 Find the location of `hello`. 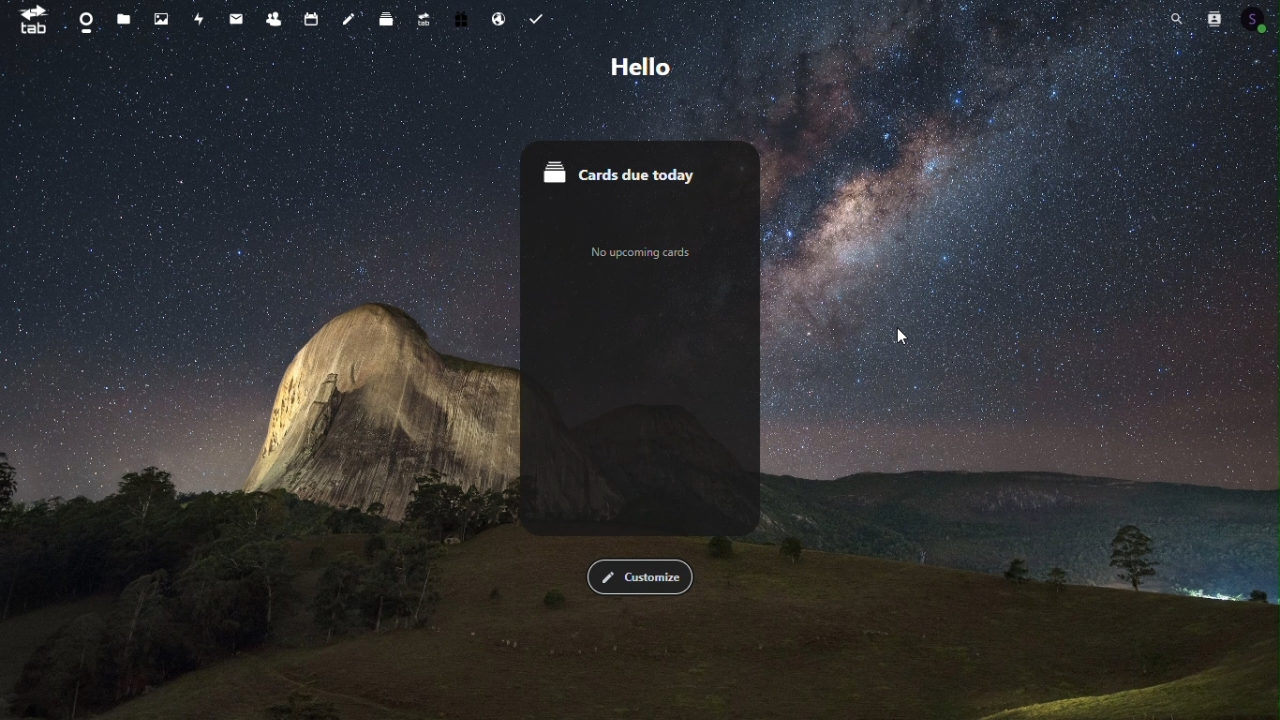

hello is located at coordinates (645, 67).